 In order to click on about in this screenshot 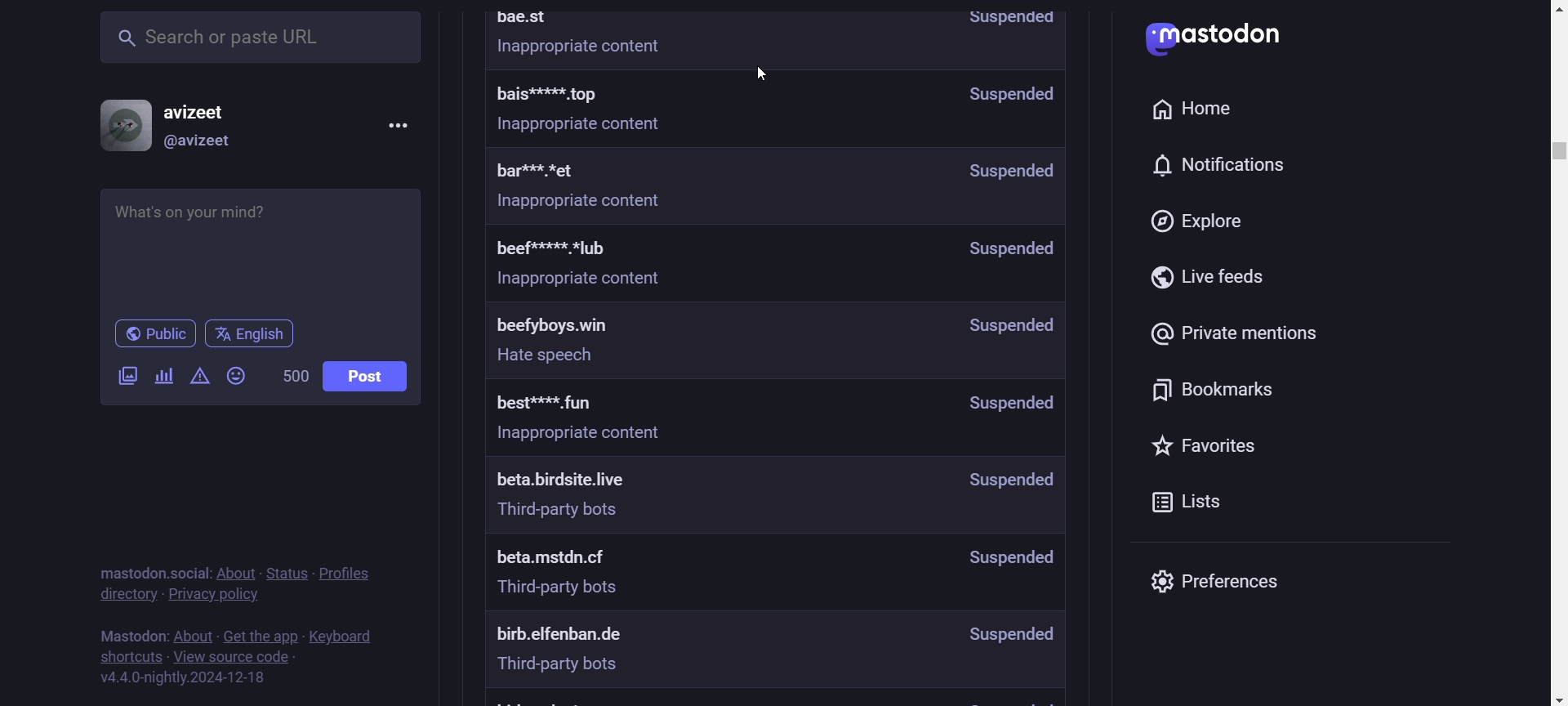, I will do `click(192, 637)`.